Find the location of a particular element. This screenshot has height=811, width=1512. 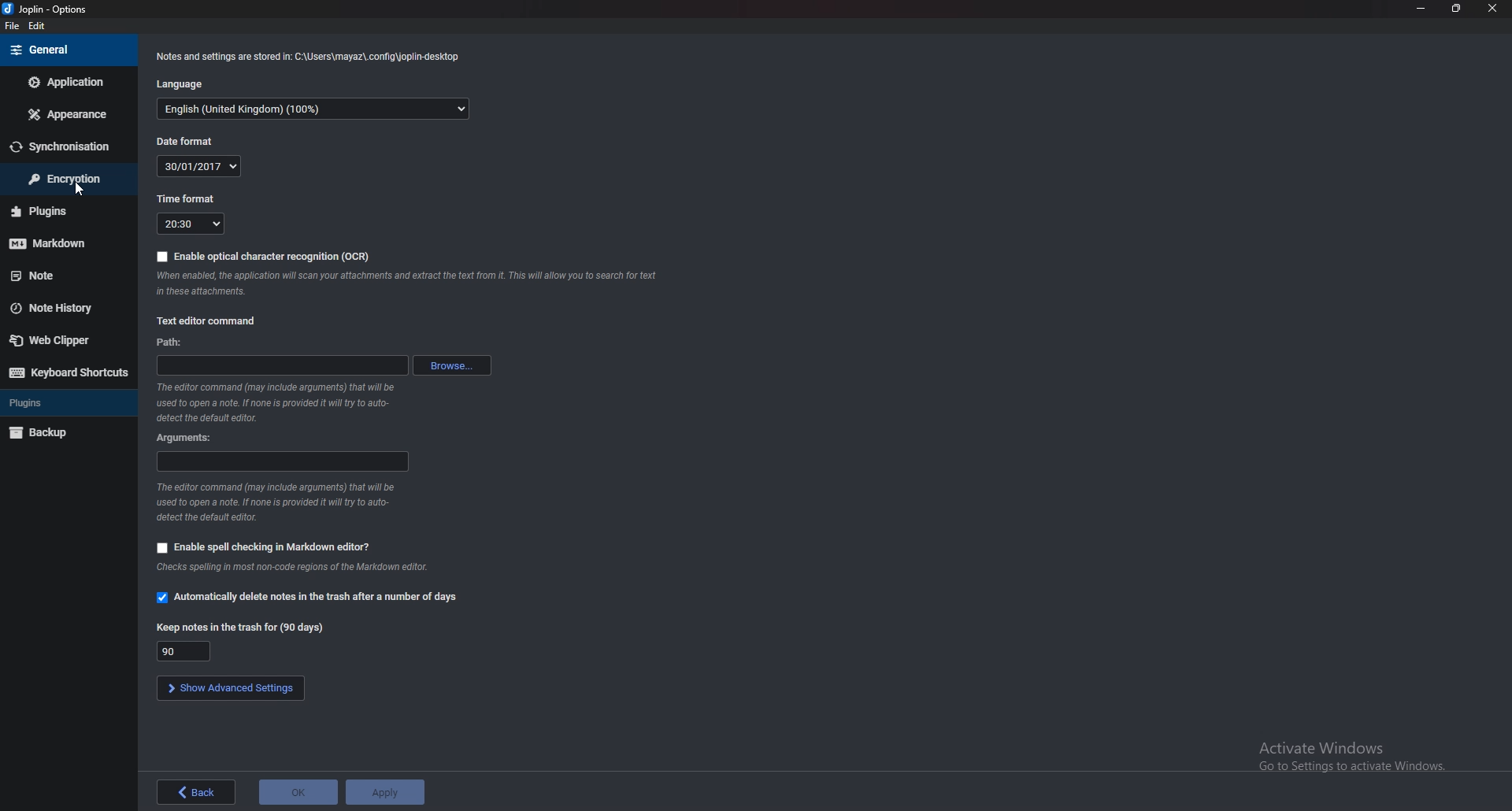

automatically delete notes is located at coordinates (308, 597).